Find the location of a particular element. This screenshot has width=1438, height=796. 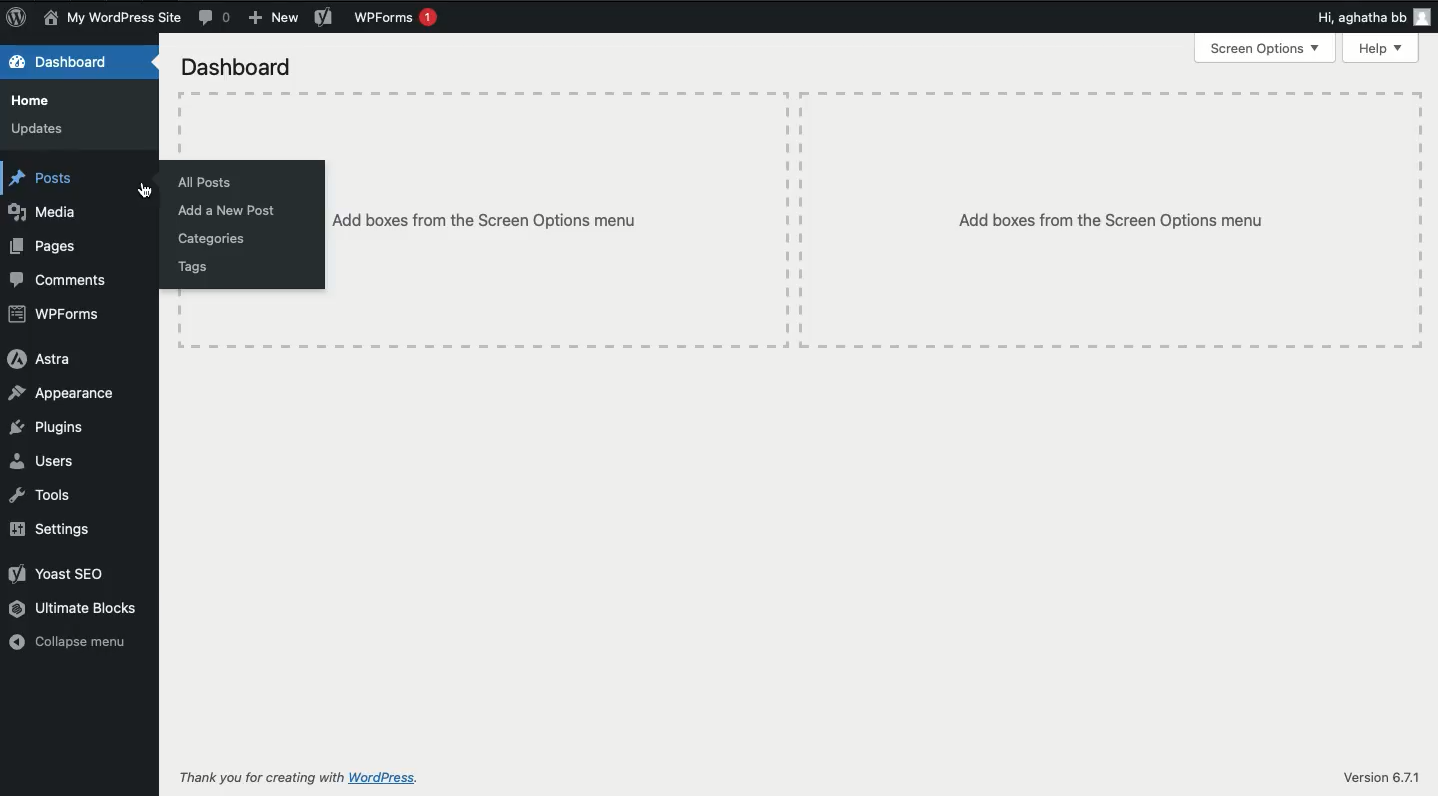

Plugins  is located at coordinates (55, 427).